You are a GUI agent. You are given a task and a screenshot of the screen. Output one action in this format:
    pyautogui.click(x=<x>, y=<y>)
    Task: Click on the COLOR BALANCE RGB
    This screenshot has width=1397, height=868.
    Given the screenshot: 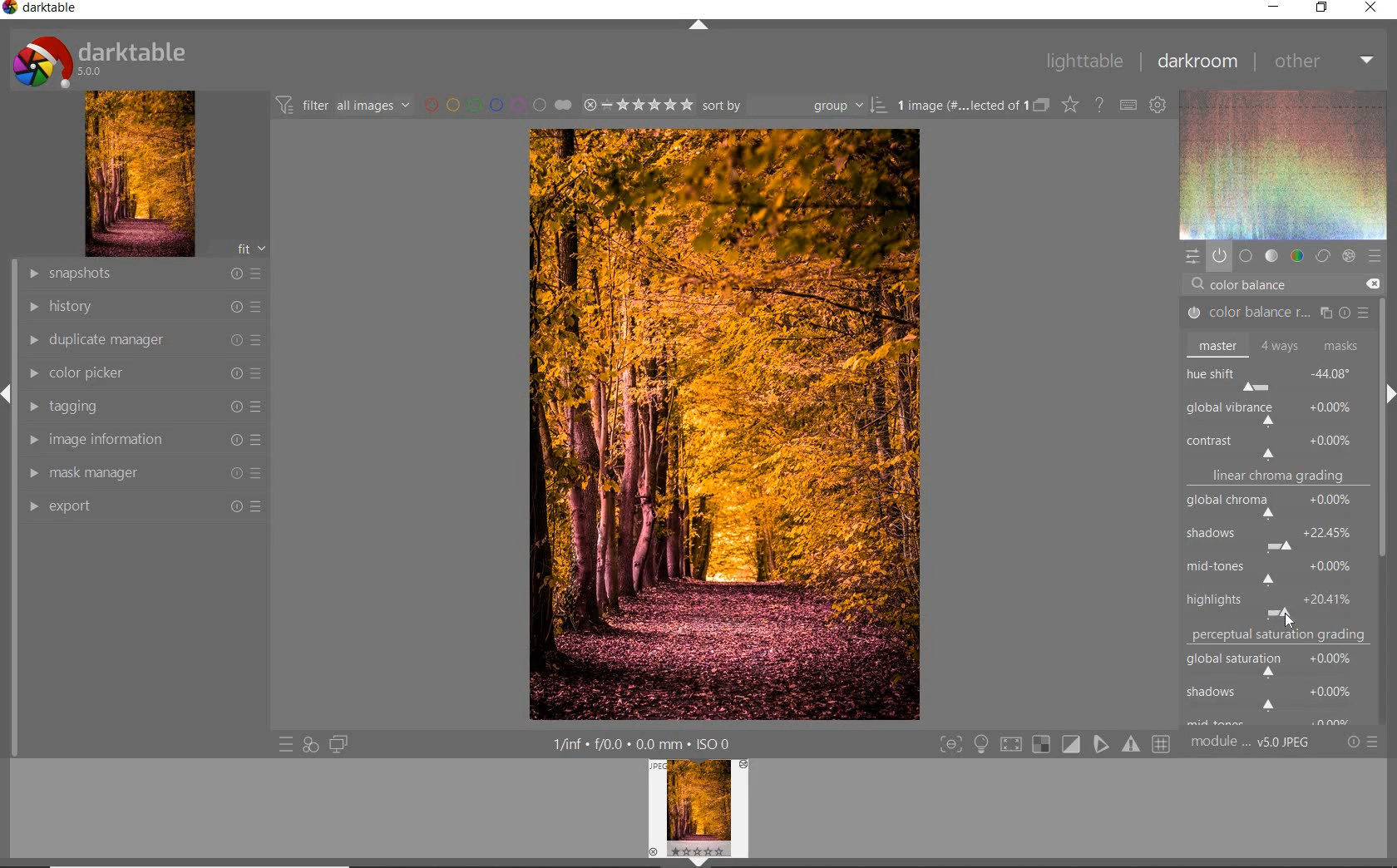 What is the action you would take?
    pyautogui.click(x=1273, y=313)
    